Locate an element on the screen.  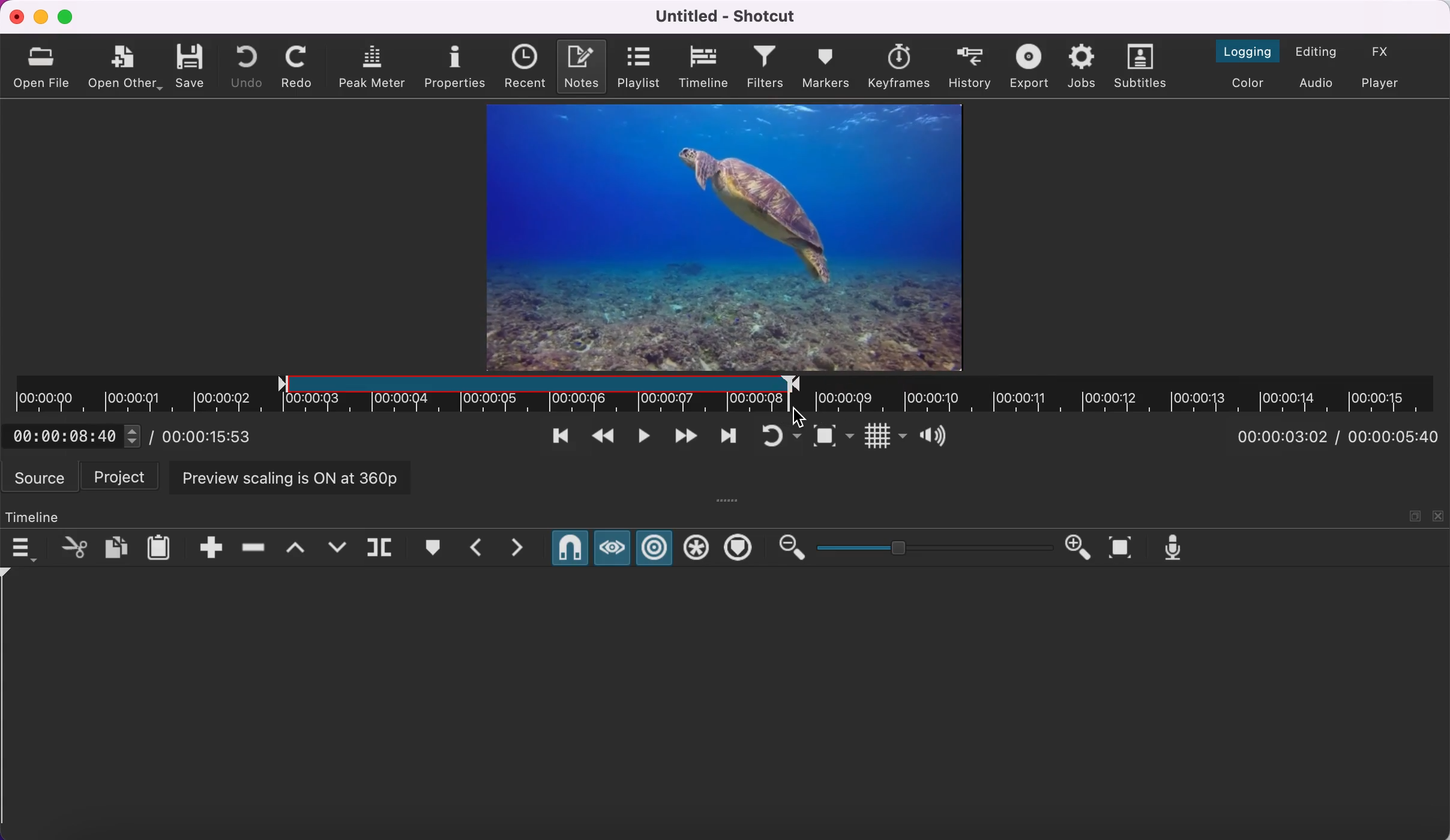
maximize is located at coordinates (69, 17).